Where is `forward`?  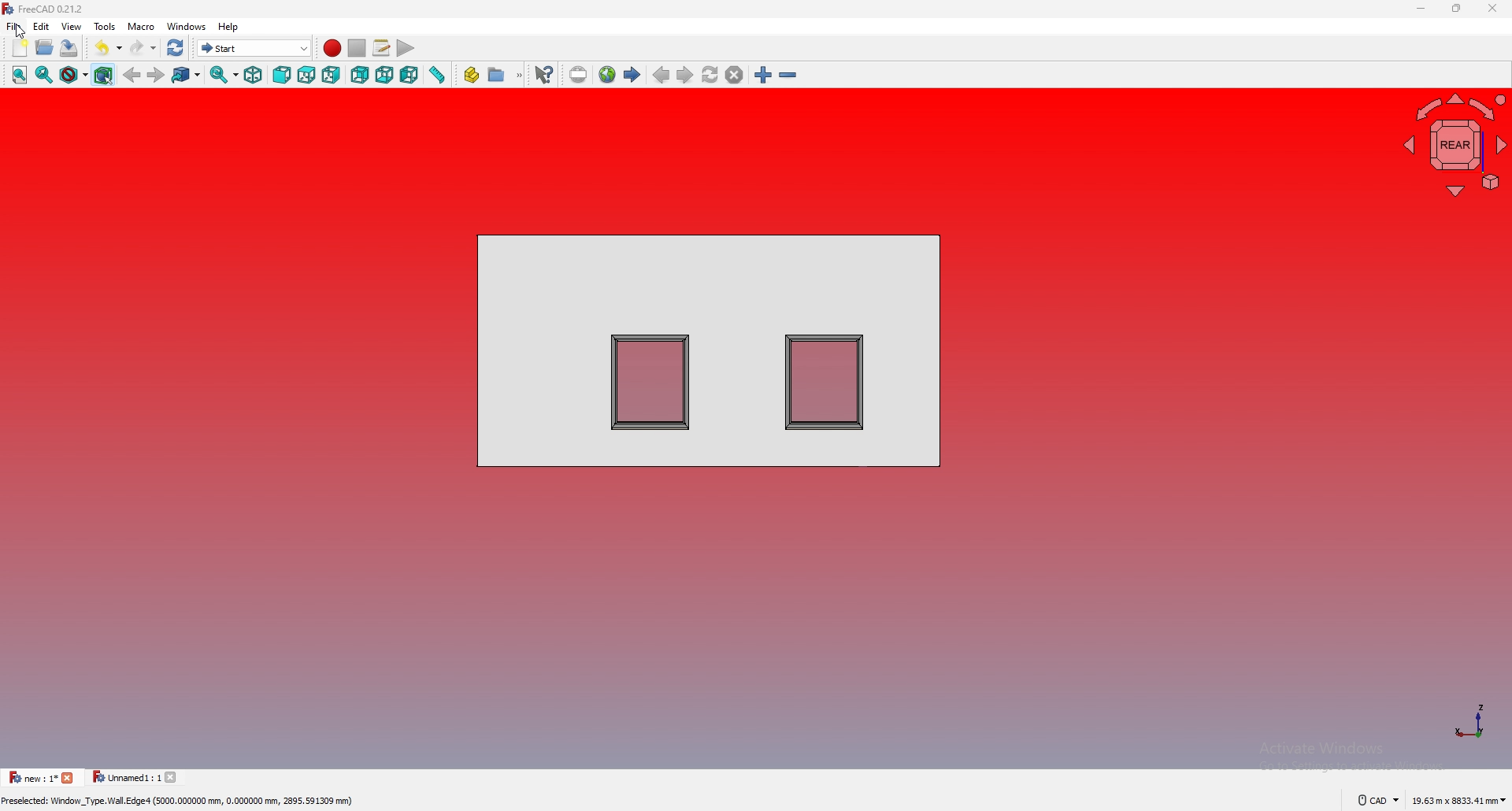 forward is located at coordinates (156, 75).